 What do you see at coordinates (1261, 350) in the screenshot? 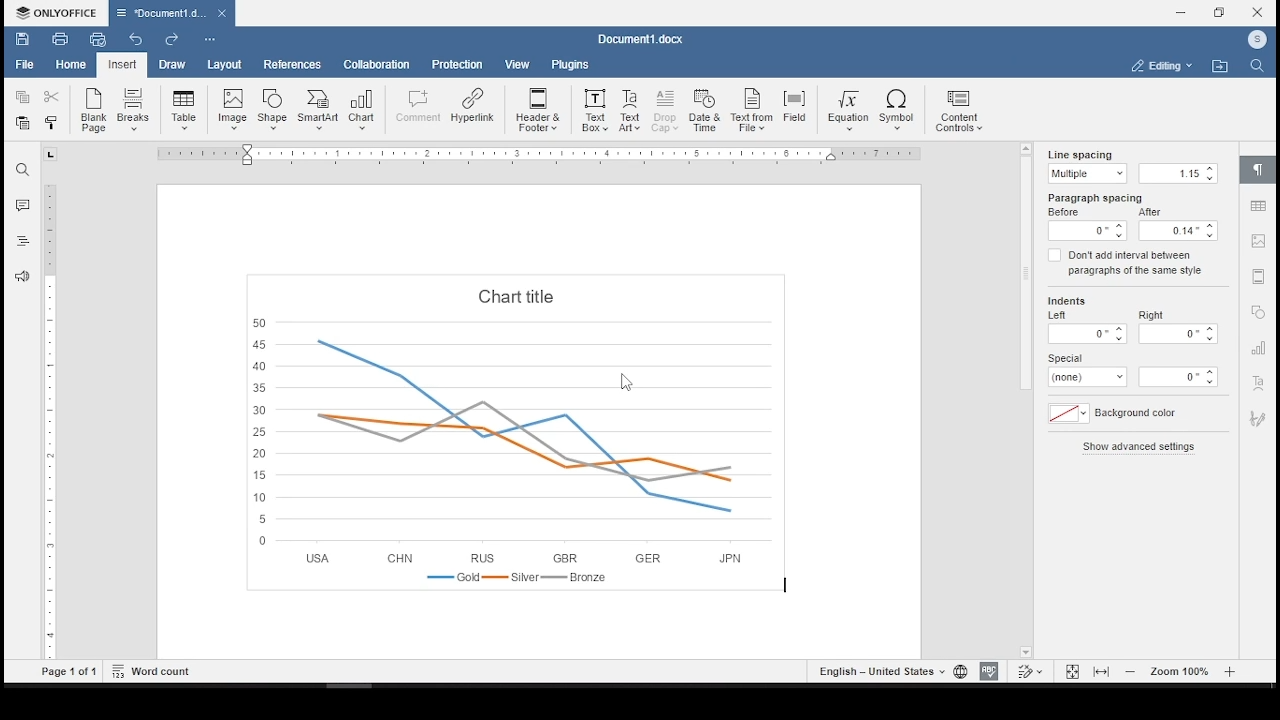
I see `chart settings` at bounding box center [1261, 350].